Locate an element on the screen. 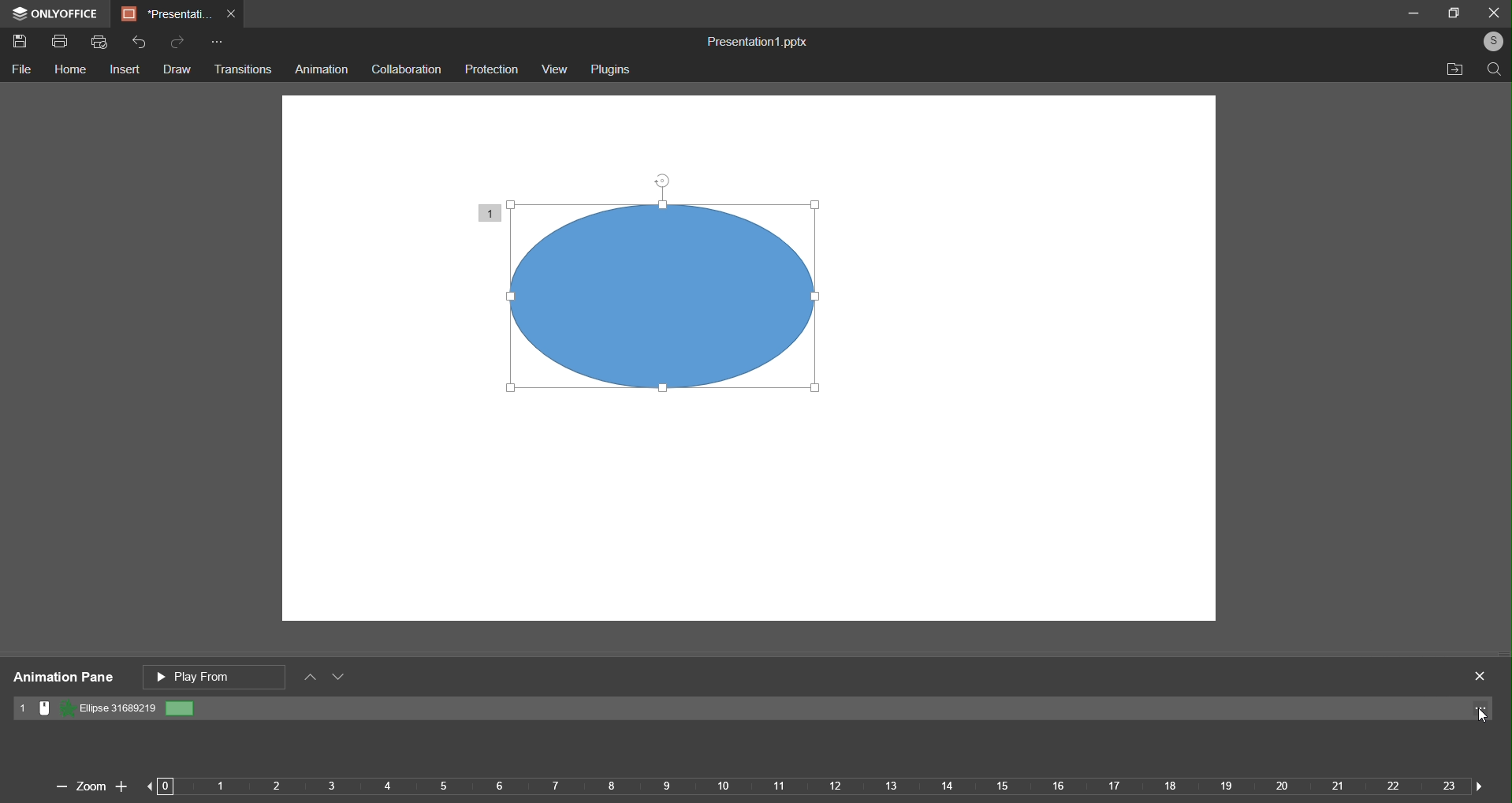 The height and width of the screenshot is (803, 1512). Redo is located at coordinates (178, 42).